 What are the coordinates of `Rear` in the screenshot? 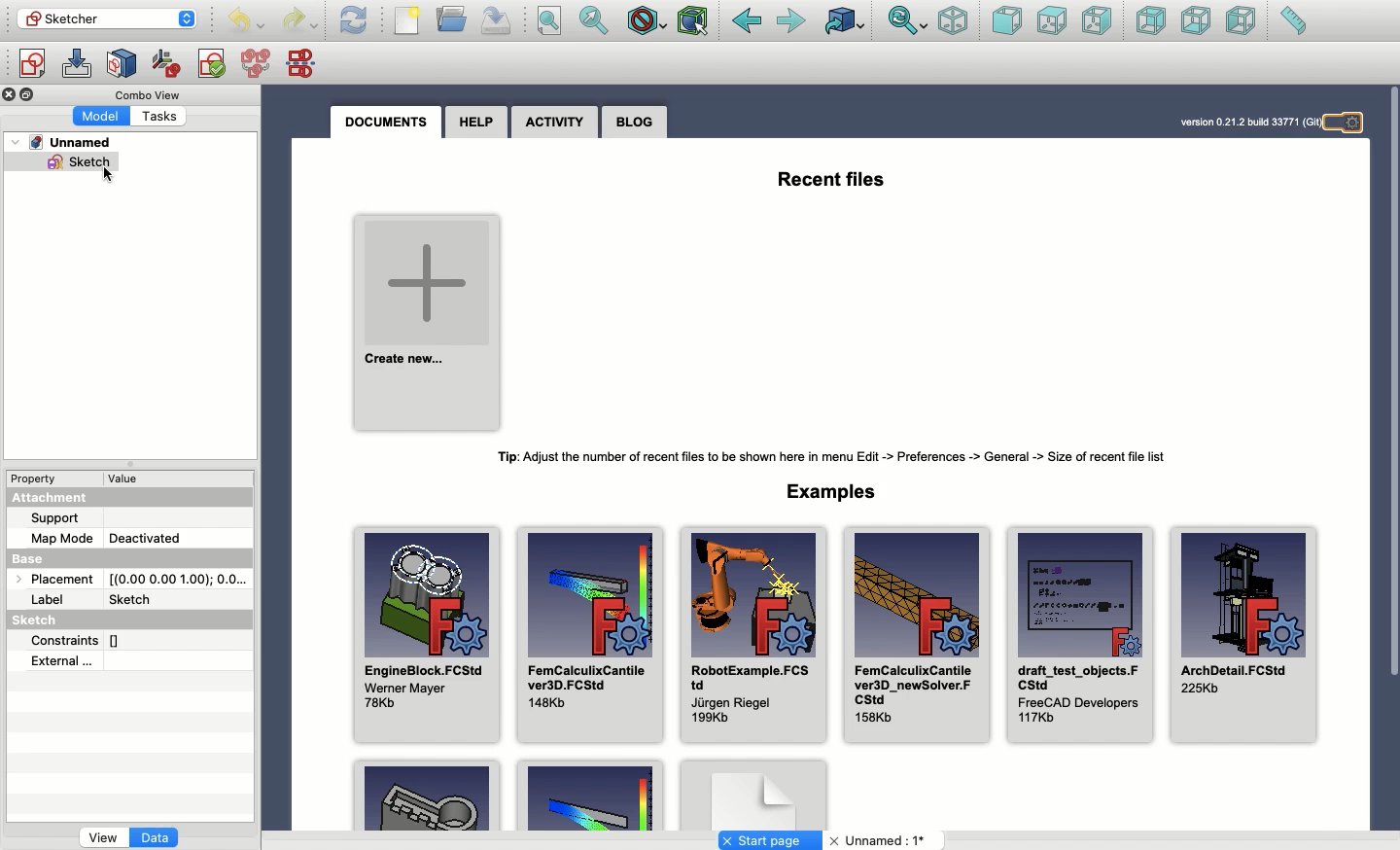 It's located at (1151, 20).